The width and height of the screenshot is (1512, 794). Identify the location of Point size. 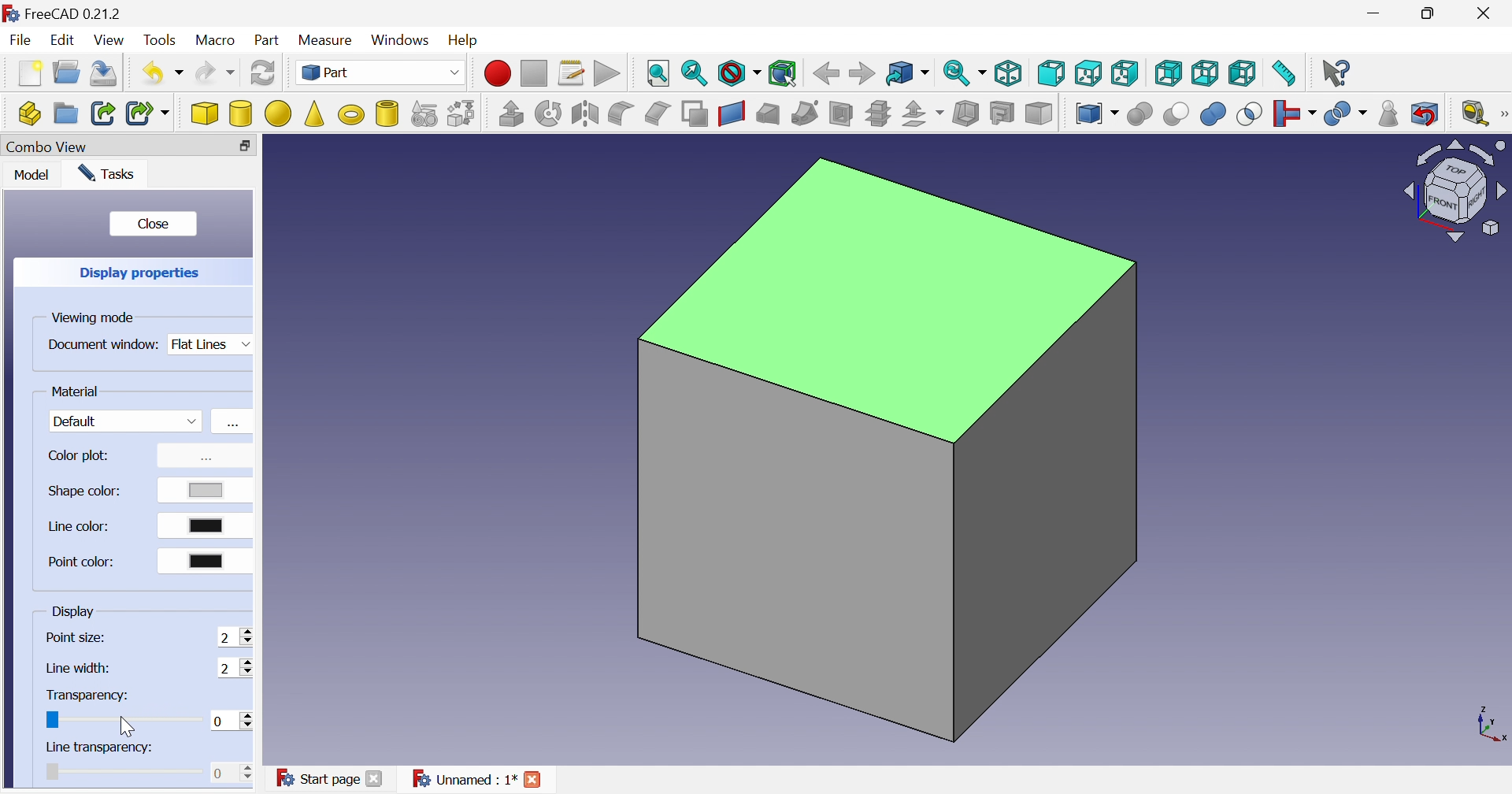
(76, 638).